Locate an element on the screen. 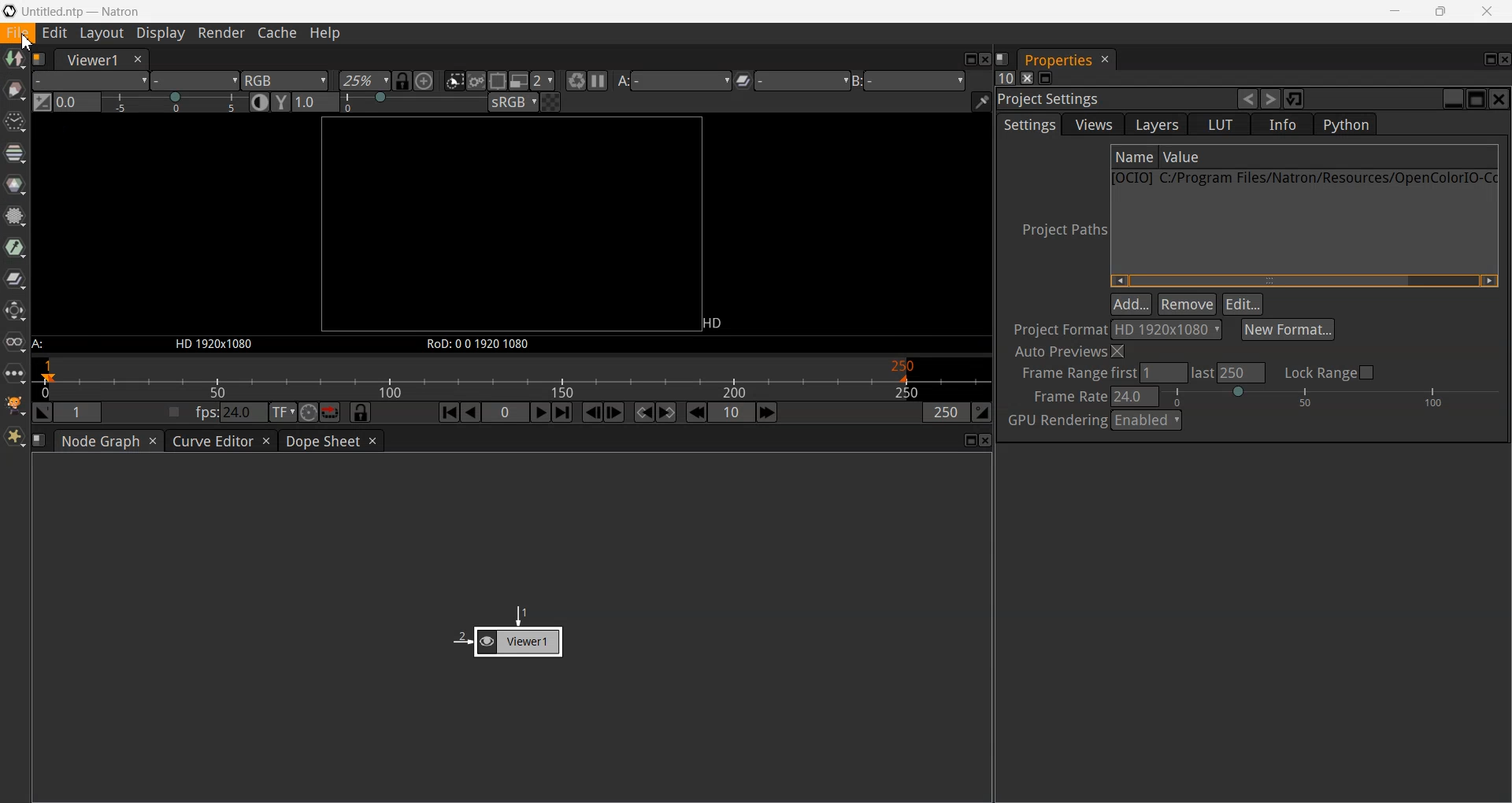 Image resolution: width=1512 pixels, height=803 pixels. Properties window is located at coordinates (1056, 61).